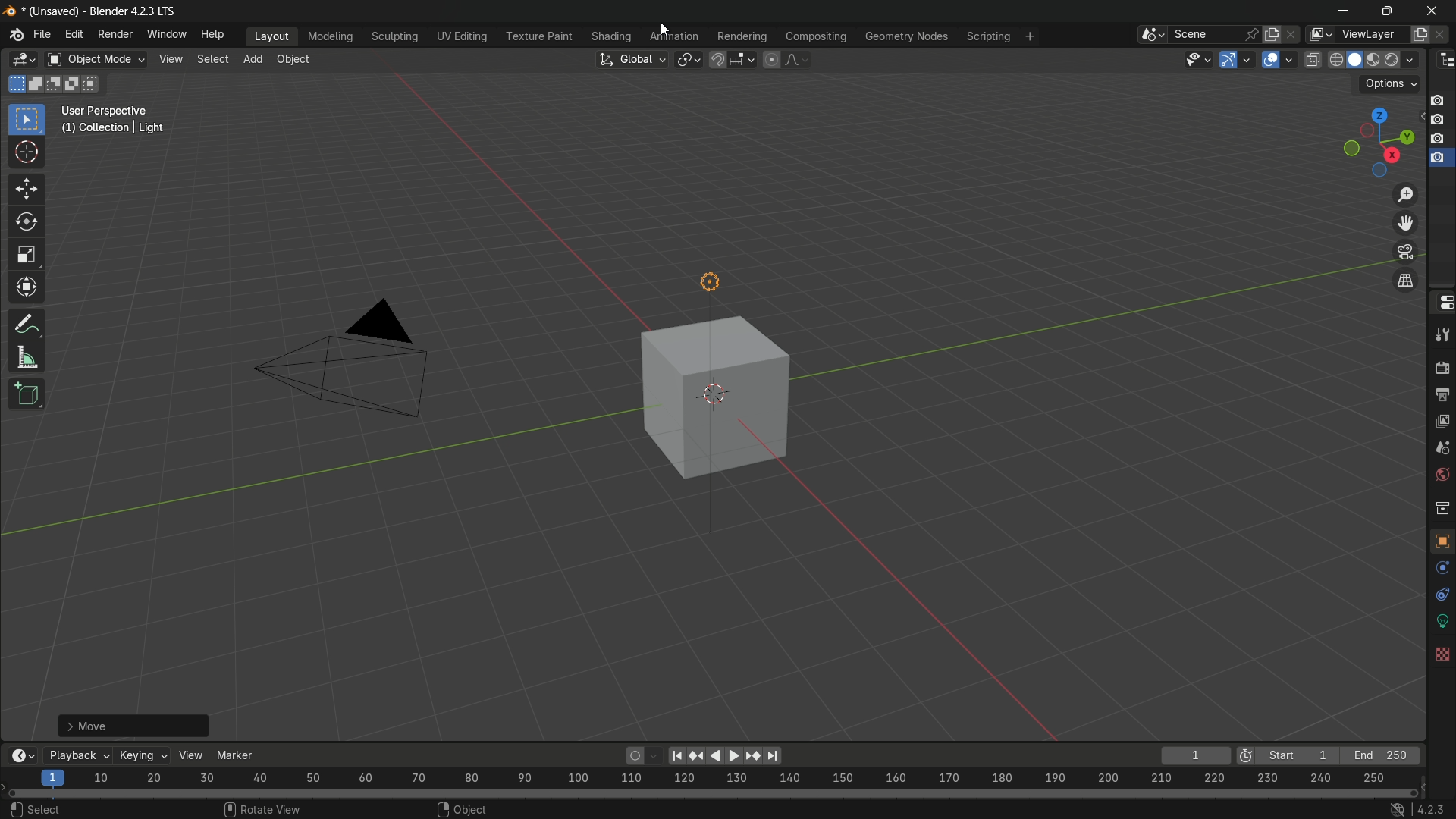  What do you see at coordinates (462, 806) in the screenshot?
I see `object` at bounding box center [462, 806].